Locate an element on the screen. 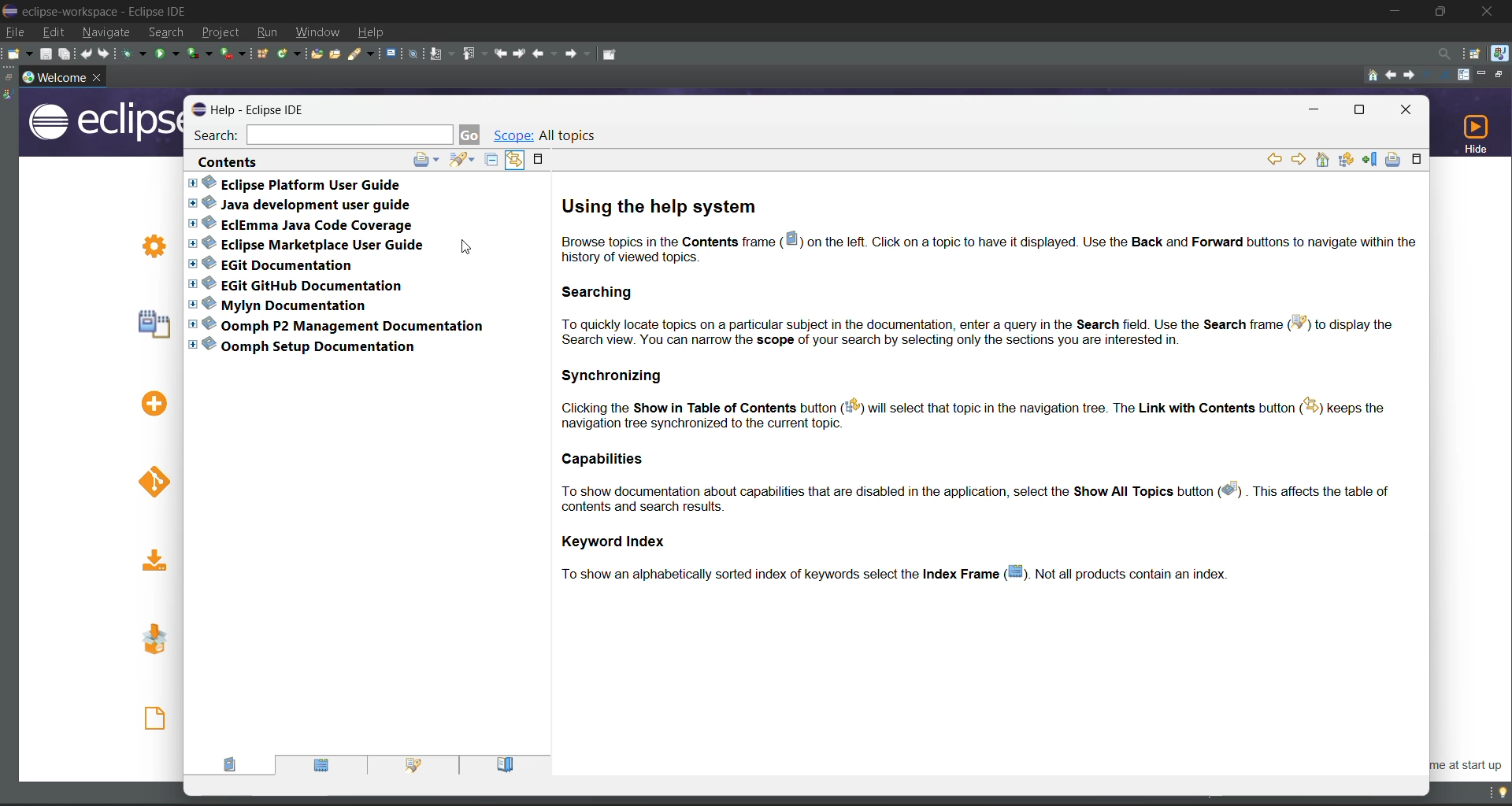  search is located at coordinates (217, 135).